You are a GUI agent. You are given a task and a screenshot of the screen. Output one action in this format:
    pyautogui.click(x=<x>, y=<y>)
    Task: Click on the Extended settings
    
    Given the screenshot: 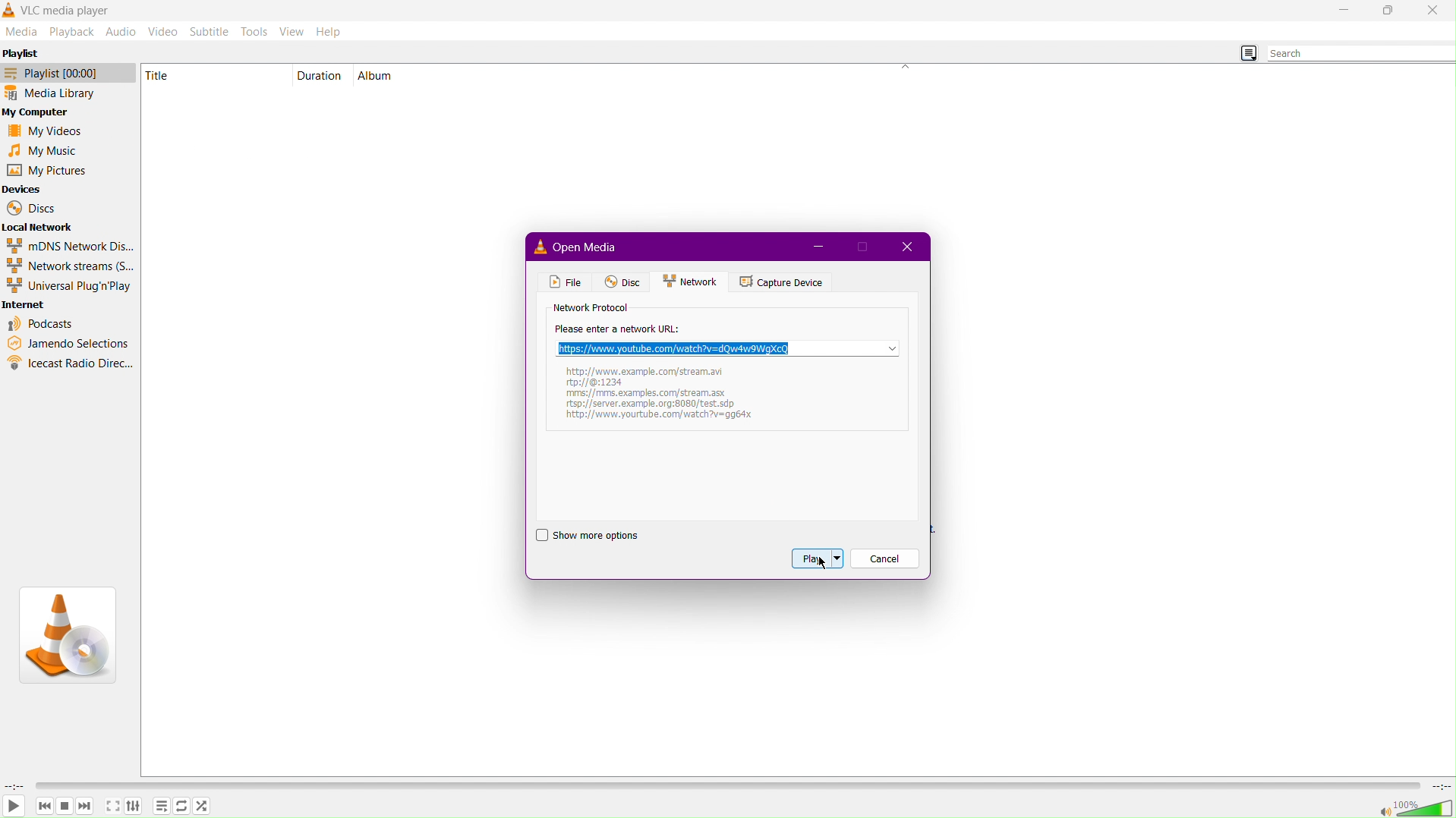 What is the action you would take?
    pyautogui.click(x=135, y=806)
    